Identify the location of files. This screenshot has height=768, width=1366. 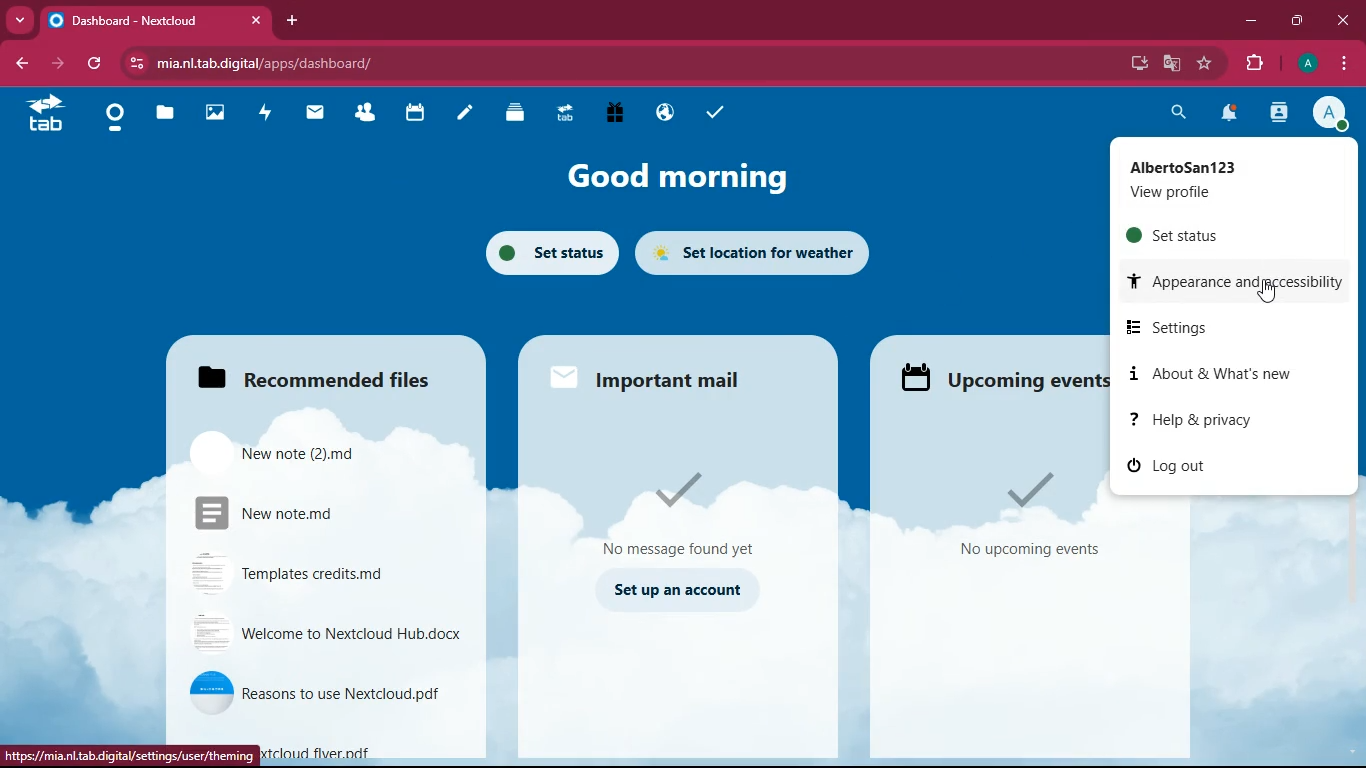
(167, 115).